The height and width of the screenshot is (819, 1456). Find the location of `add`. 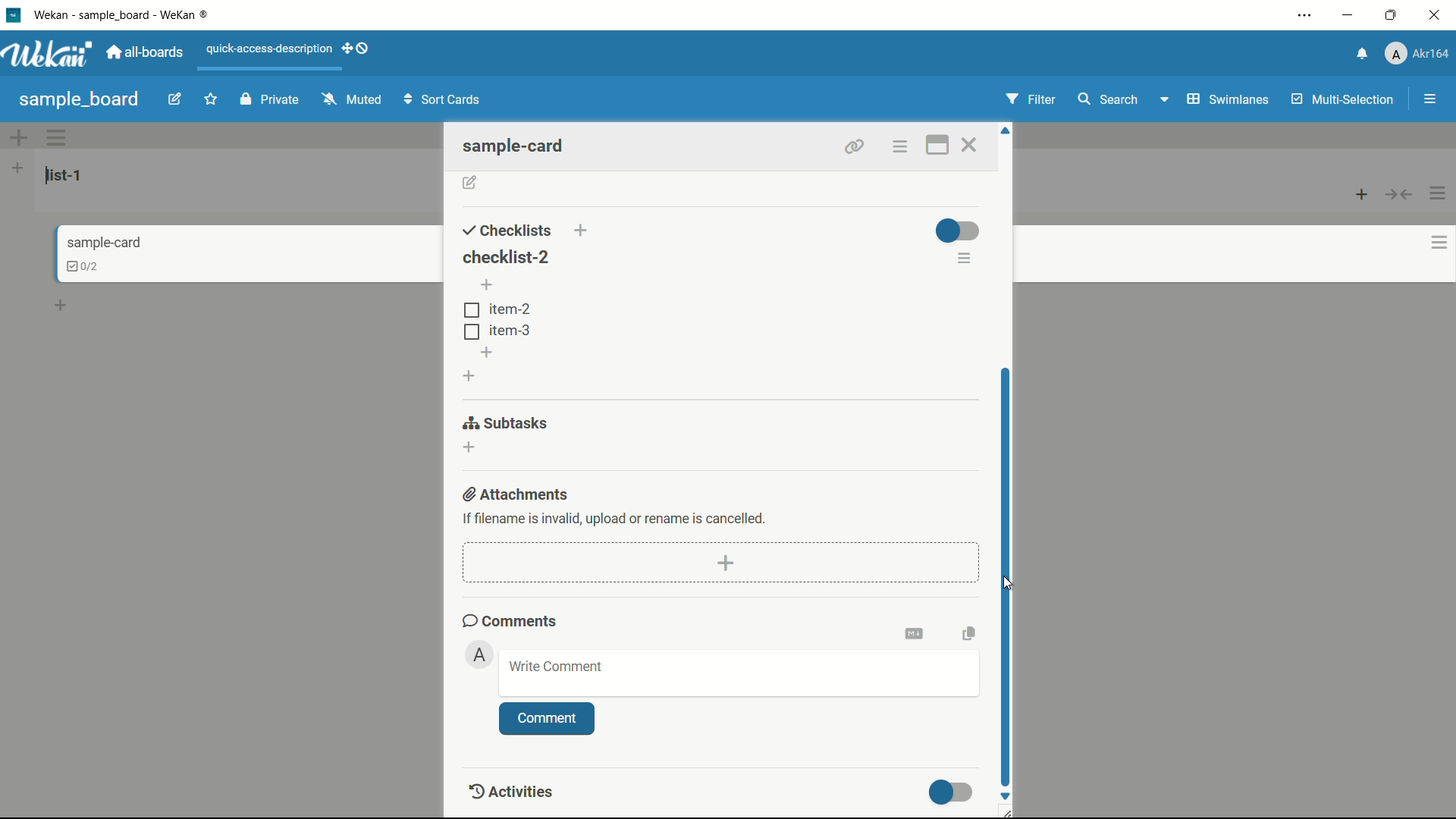

add is located at coordinates (63, 303).